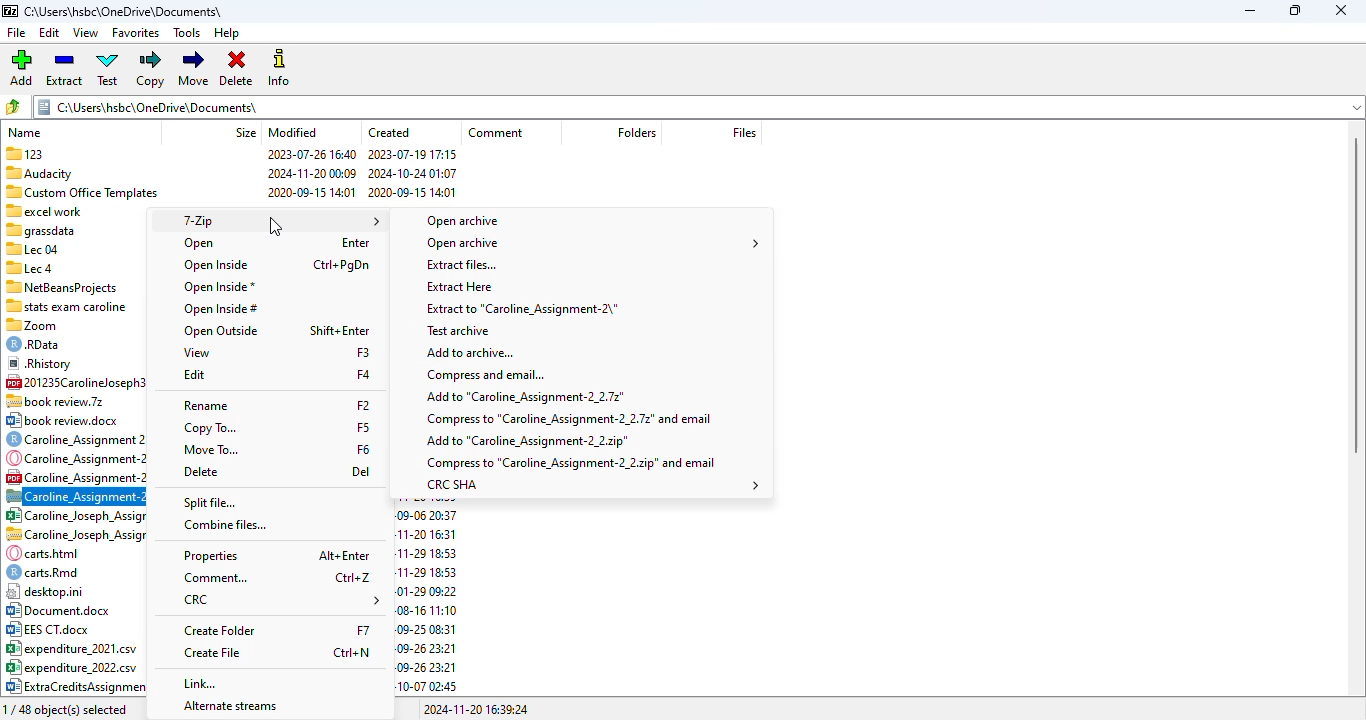 The width and height of the screenshot is (1366, 720). Describe the element at coordinates (76, 477) in the screenshot. I see `&& Caroline Assignment-2.... 196542 2023-10-06 15:41 2023-10-06 15:41` at that location.